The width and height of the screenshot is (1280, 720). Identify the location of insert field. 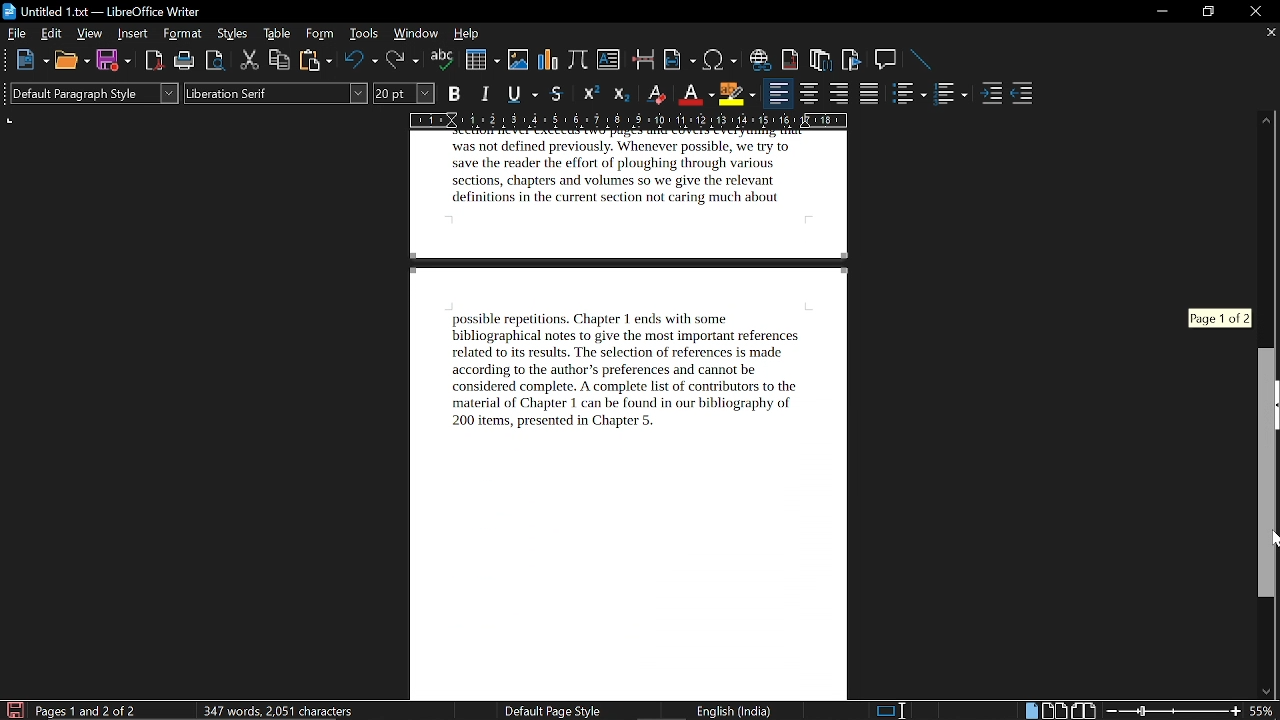
(681, 60).